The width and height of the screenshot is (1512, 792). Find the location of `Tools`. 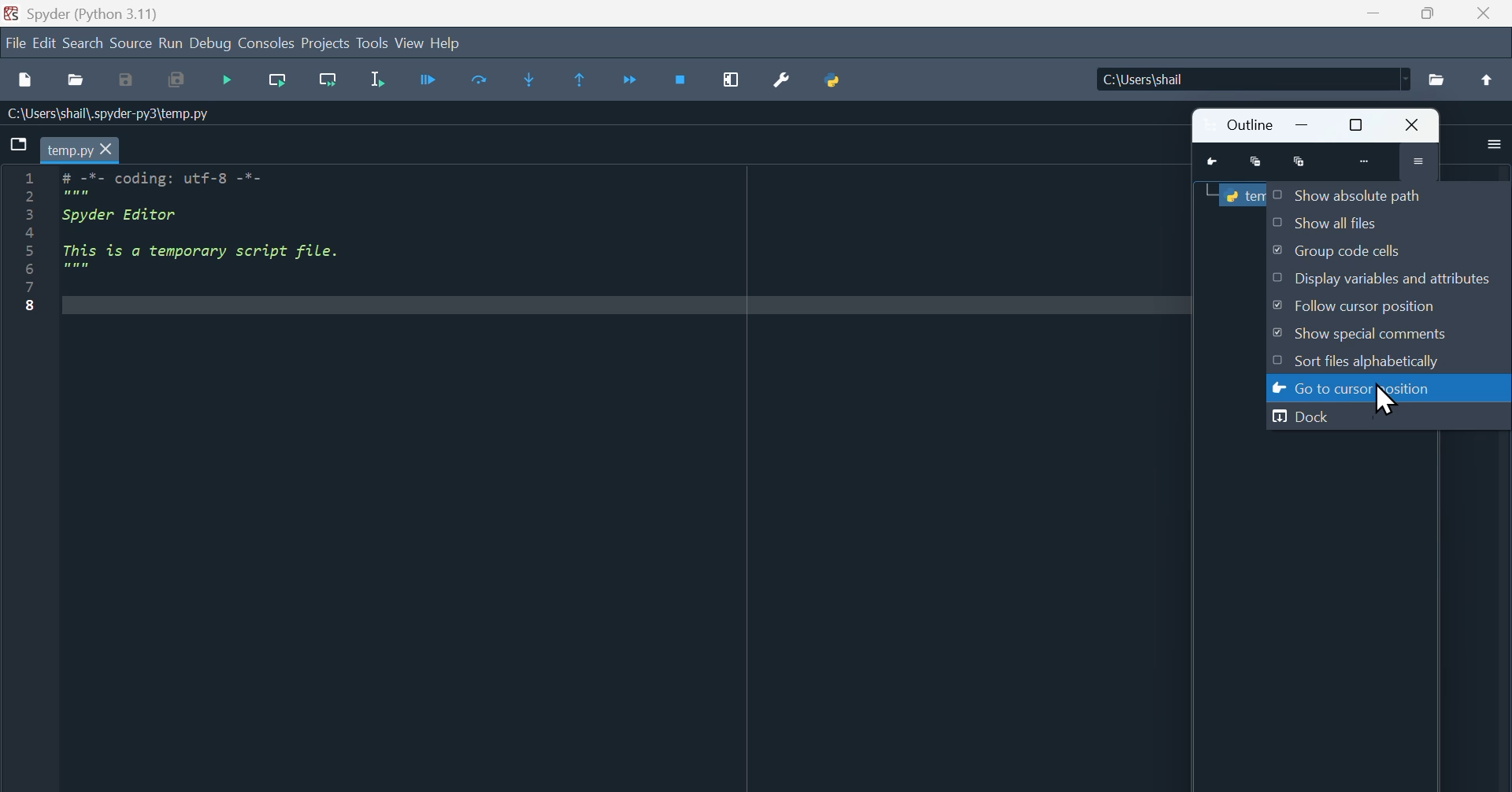

Tools is located at coordinates (373, 41).